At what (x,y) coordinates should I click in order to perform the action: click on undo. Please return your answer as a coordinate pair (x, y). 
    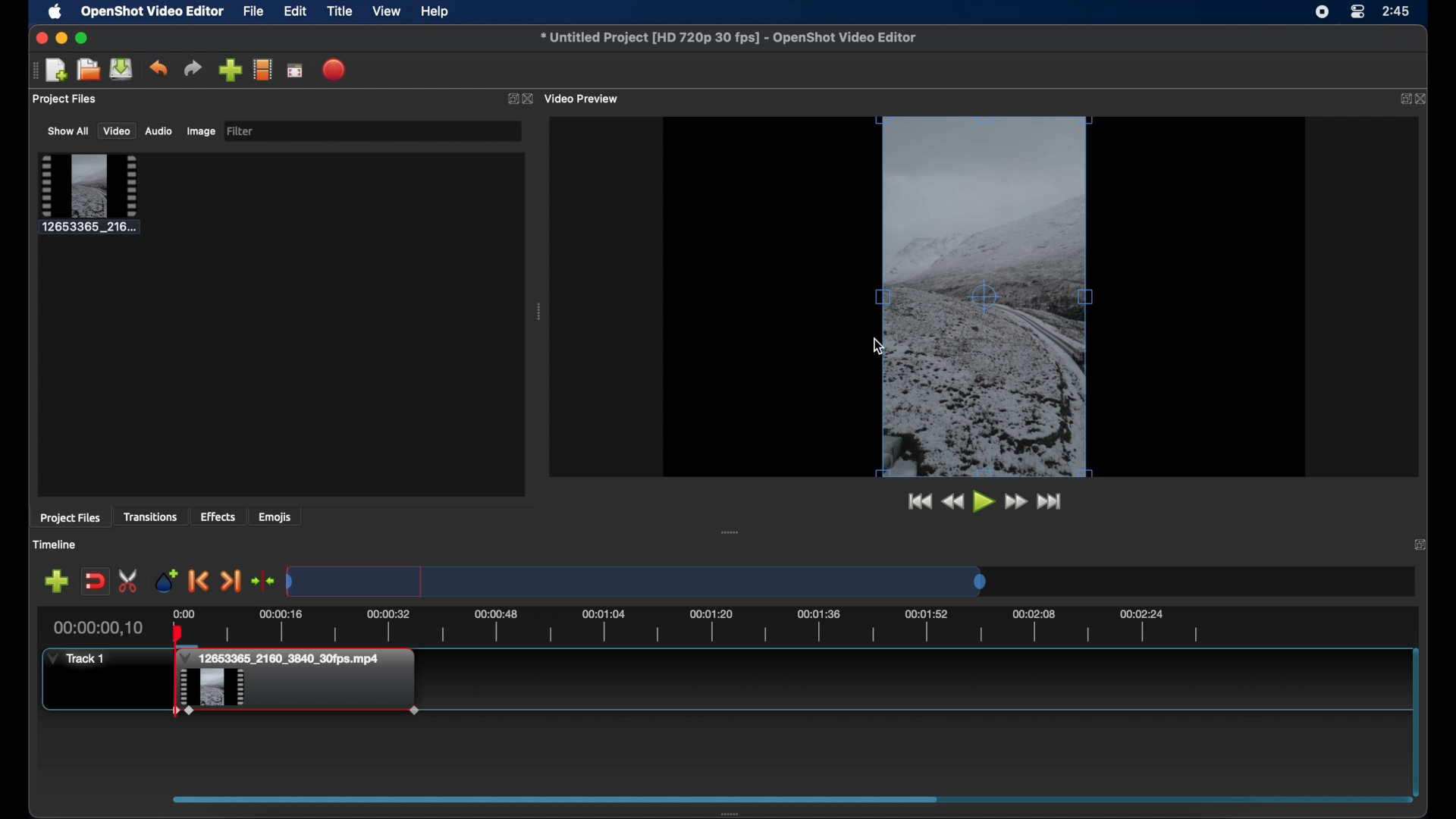
    Looking at the image, I should click on (158, 68).